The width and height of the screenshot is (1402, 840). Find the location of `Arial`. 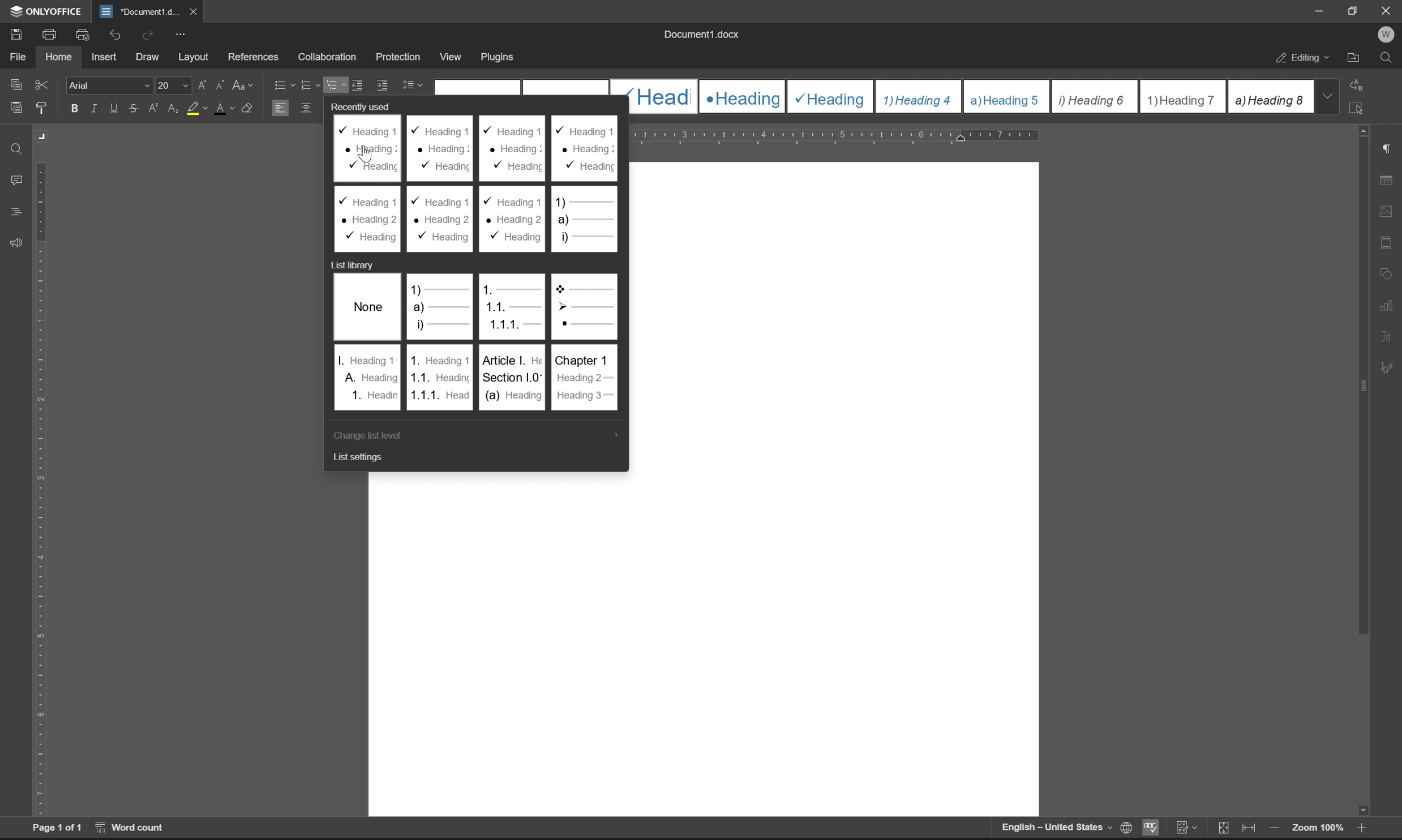

Arial is located at coordinates (108, 84).